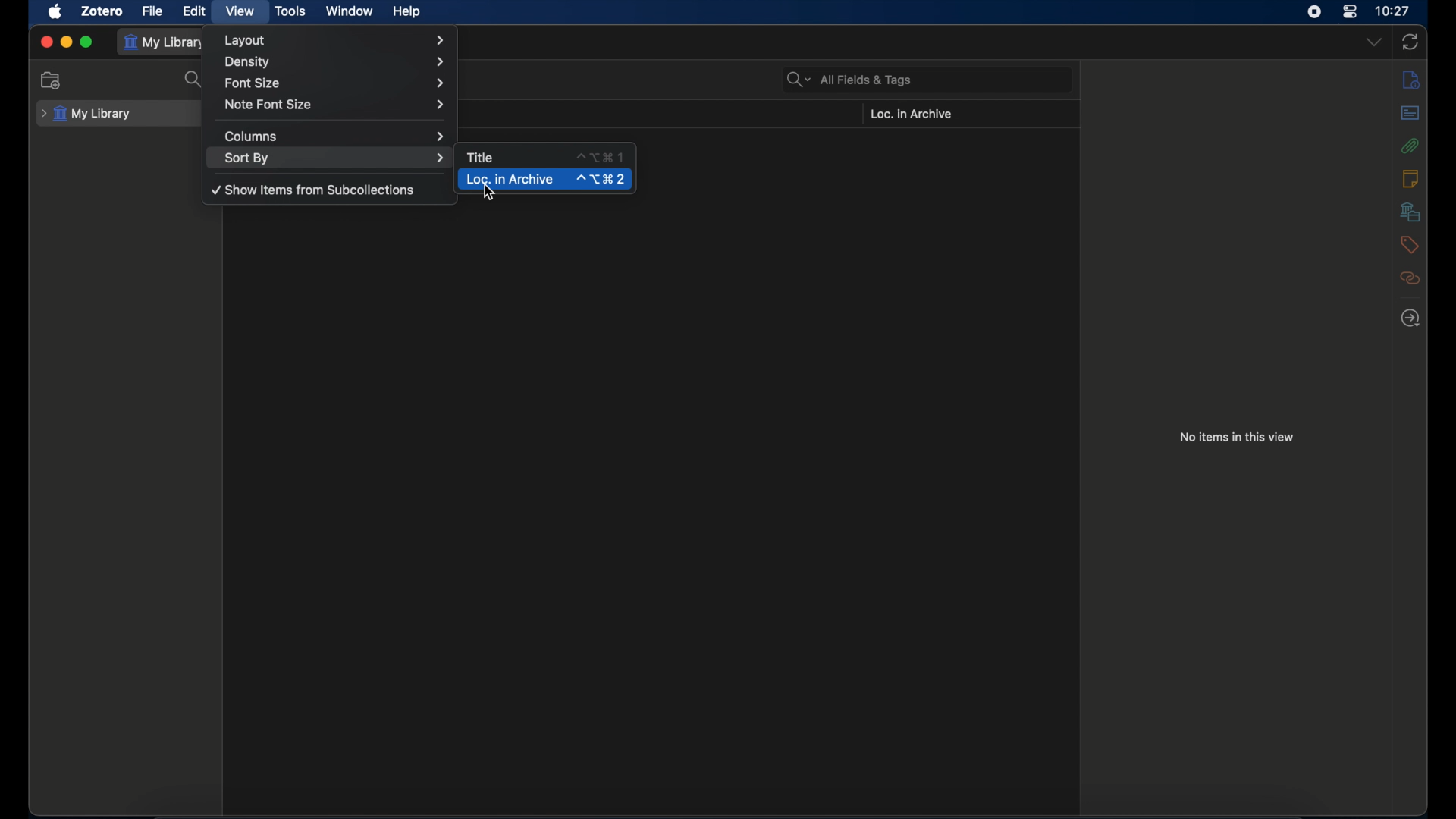 The height and width of the screenshot is (819, 1456). I want to click on related, so click(1411, 278).